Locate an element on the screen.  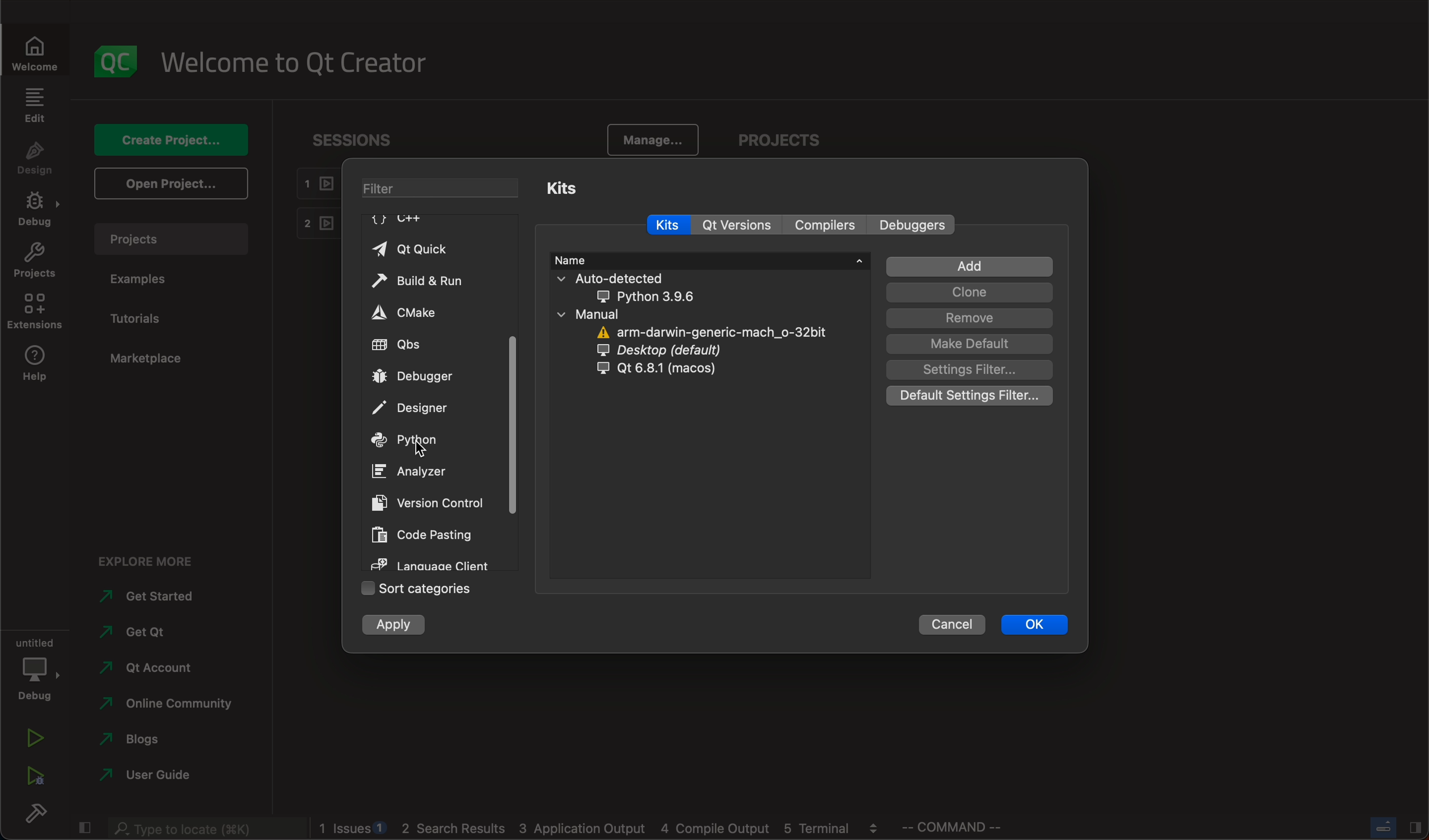
arm darwin is located at coordinates (706, 332).